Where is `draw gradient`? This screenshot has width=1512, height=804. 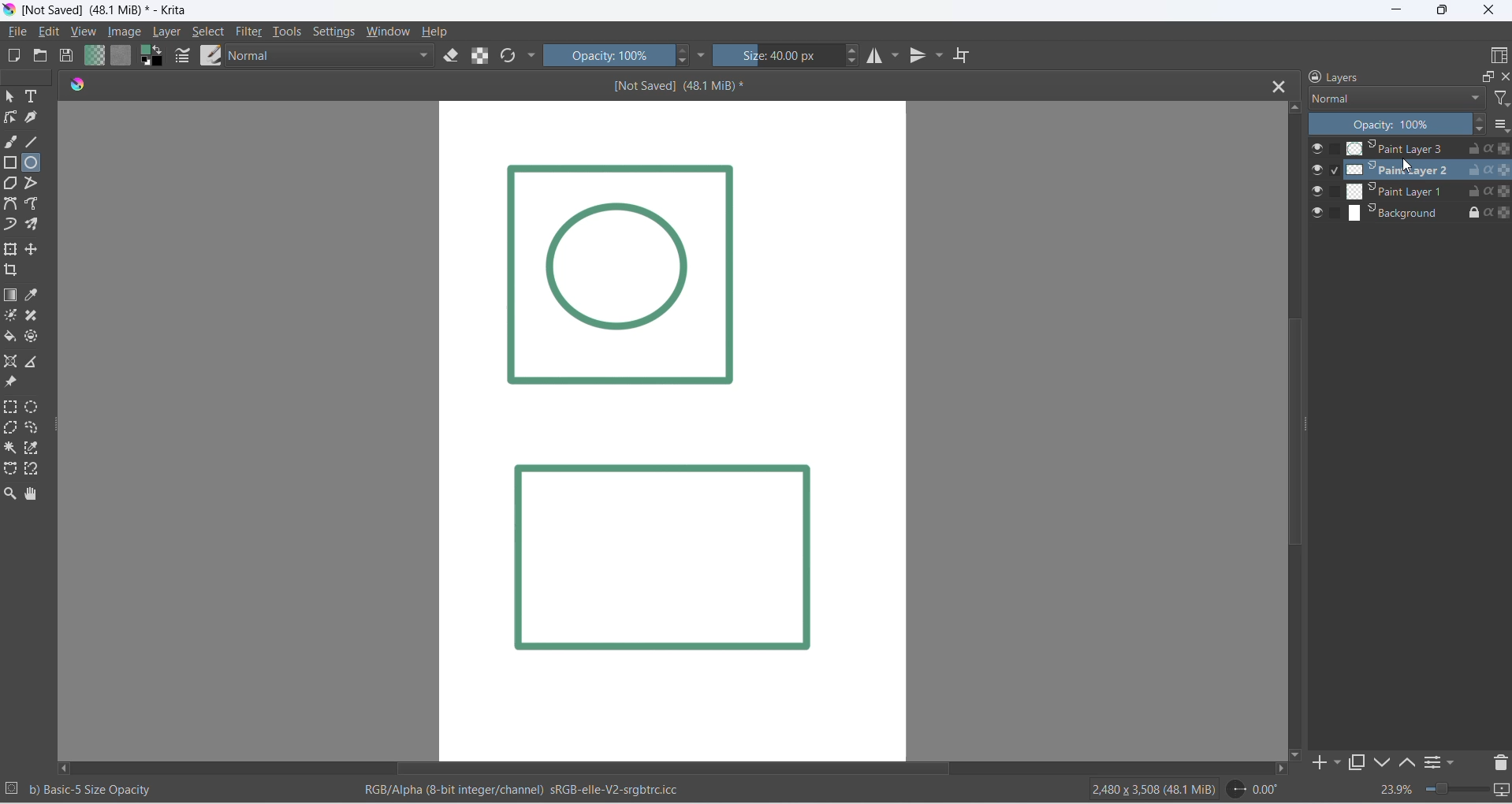
draw gradient is located at coordinates (11, 296).